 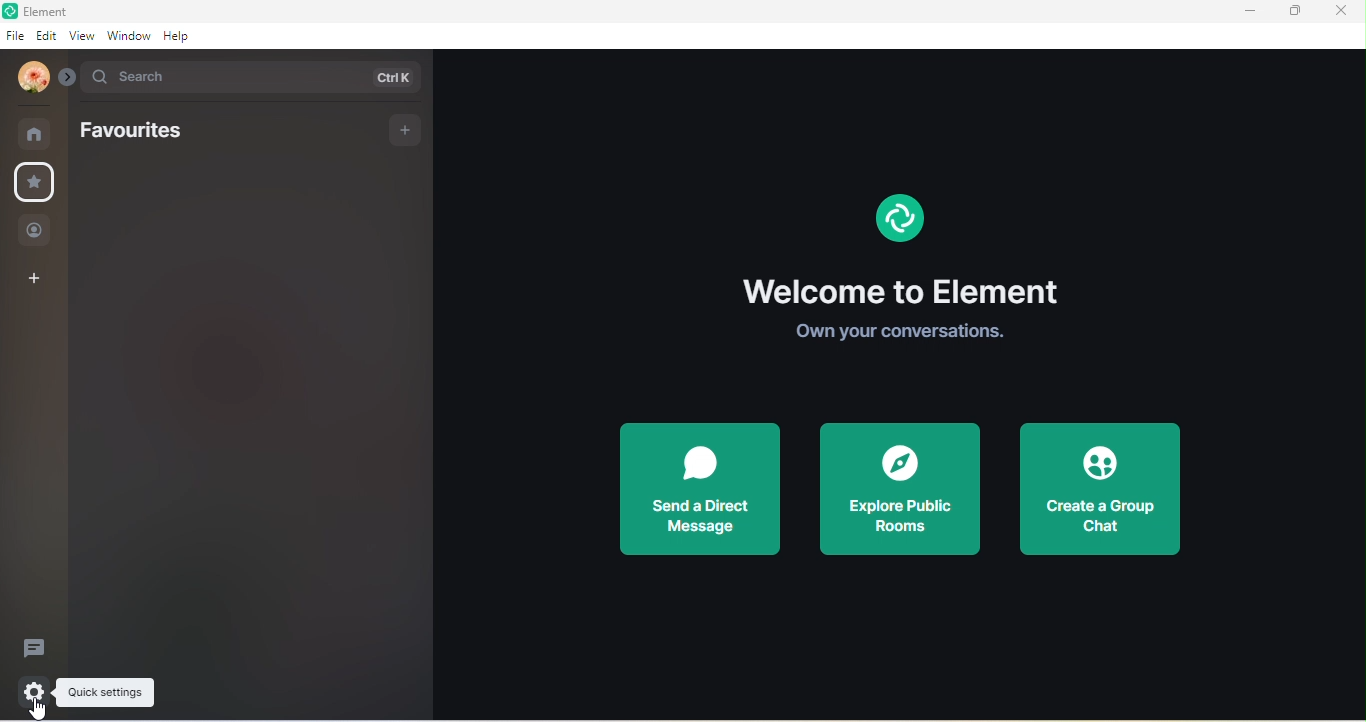 What do you see at coordinates (899, 488) in the screenshot?
I see `explore public rooms` at bounding box center [899, 488].